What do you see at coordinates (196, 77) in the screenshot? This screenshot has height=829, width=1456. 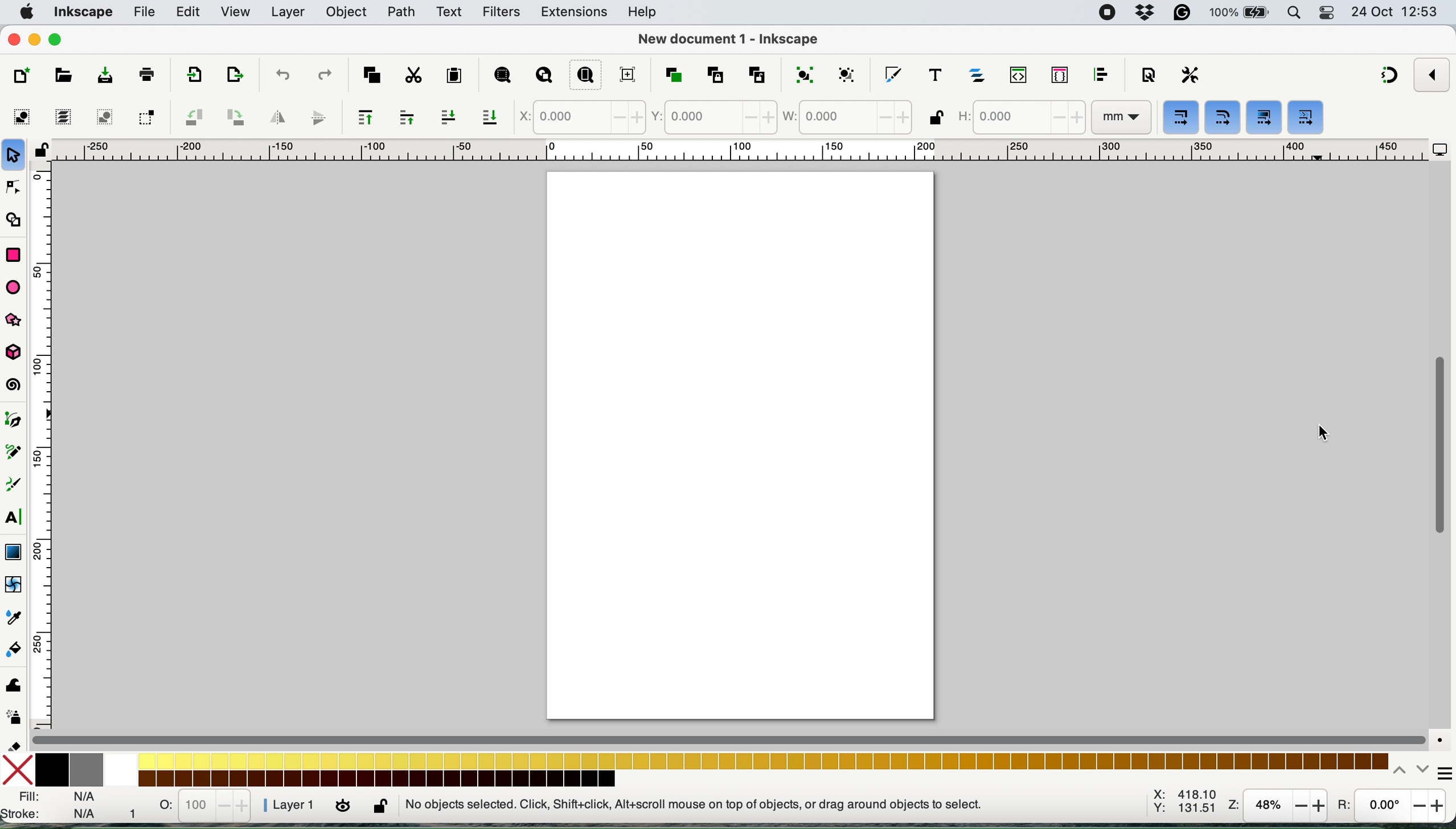 I see `export` at bounding box center [196, 77].